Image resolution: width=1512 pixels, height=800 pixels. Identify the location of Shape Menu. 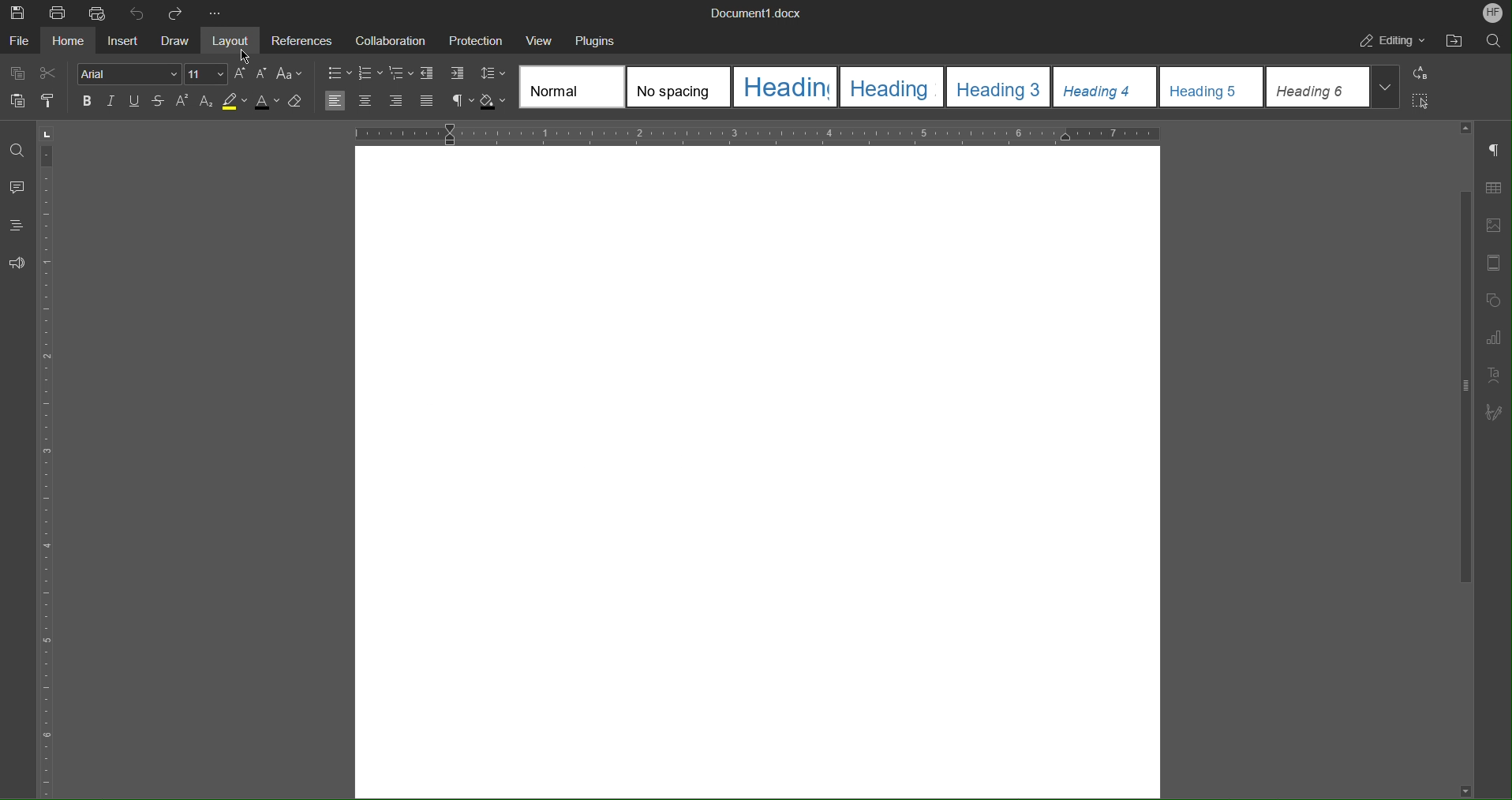
(1491, 302).